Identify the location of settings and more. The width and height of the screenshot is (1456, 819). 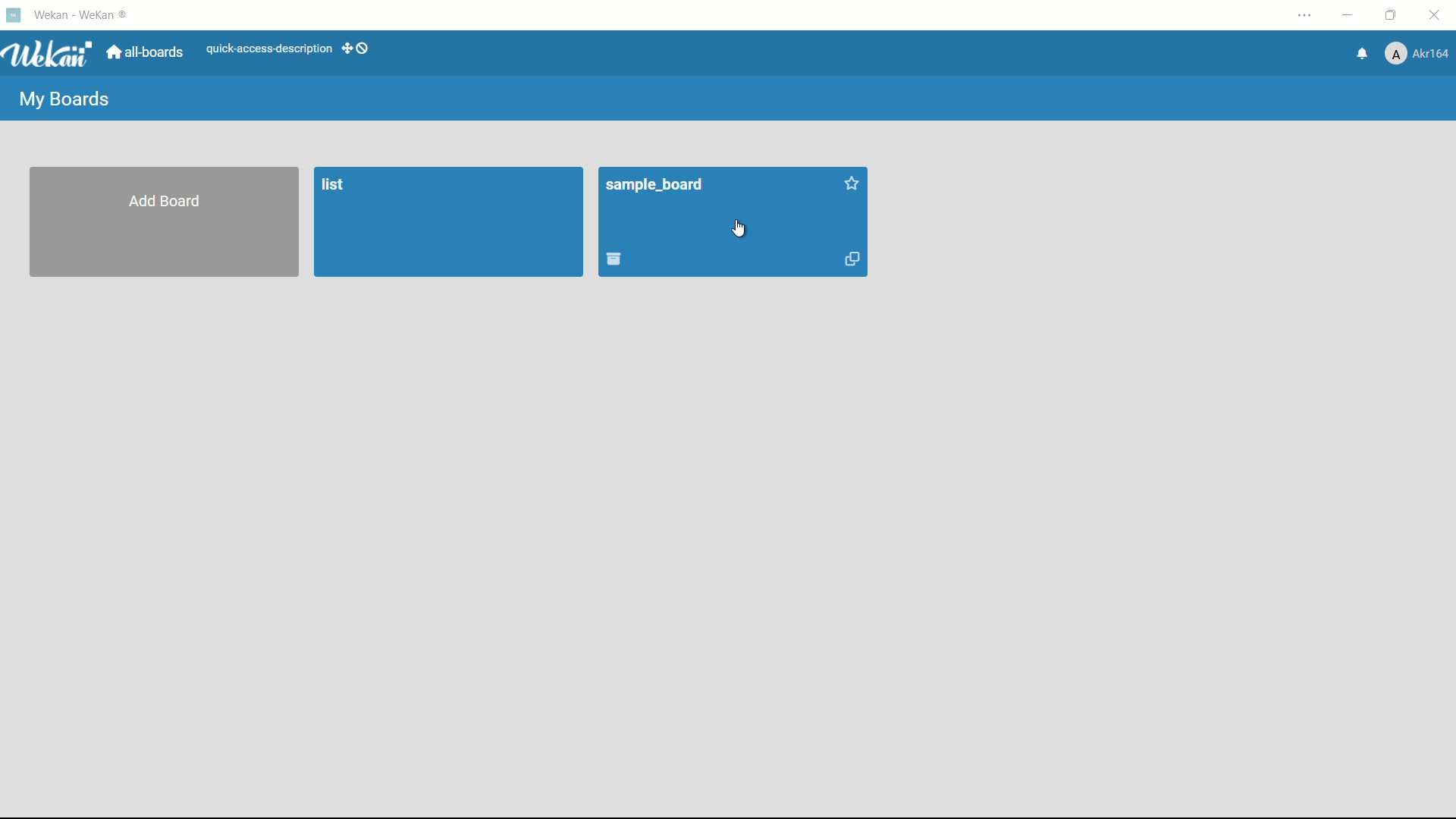
(1305, 17).